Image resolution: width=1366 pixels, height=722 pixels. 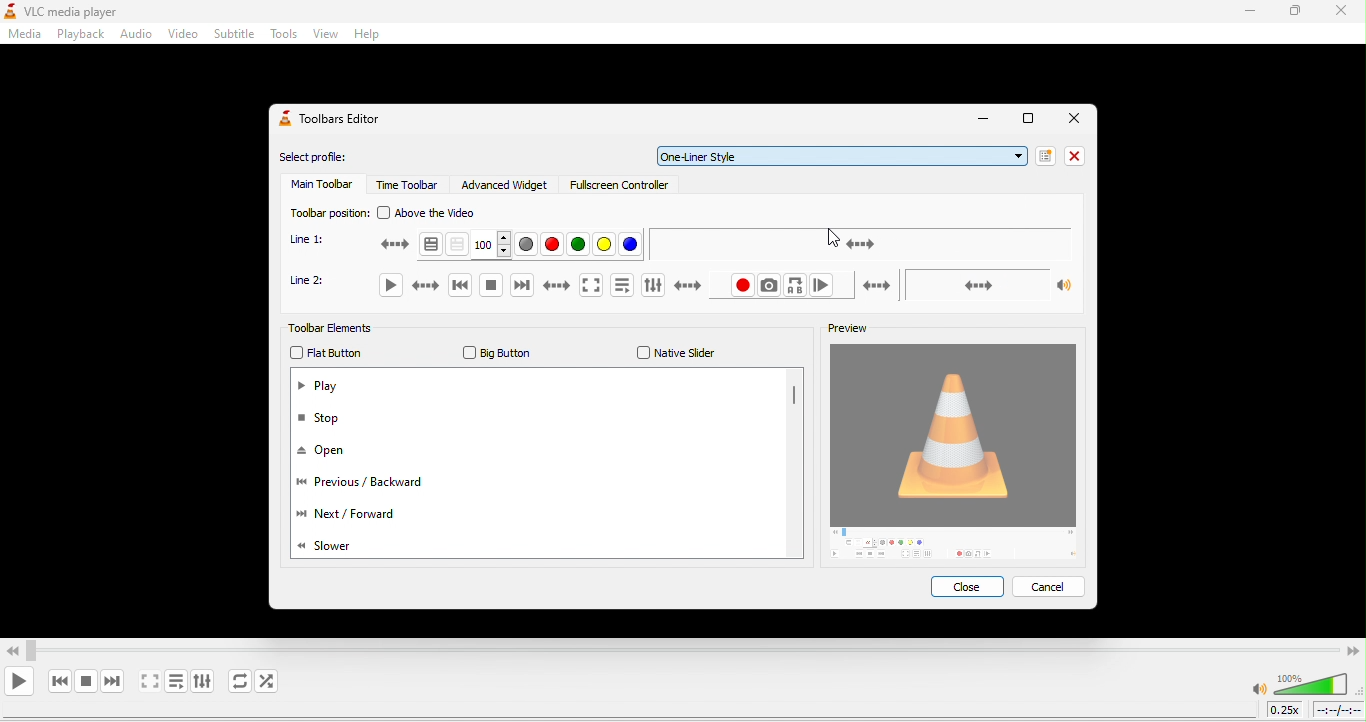 I want to click on loop from A to B continuously, so click(x=795, y=285).